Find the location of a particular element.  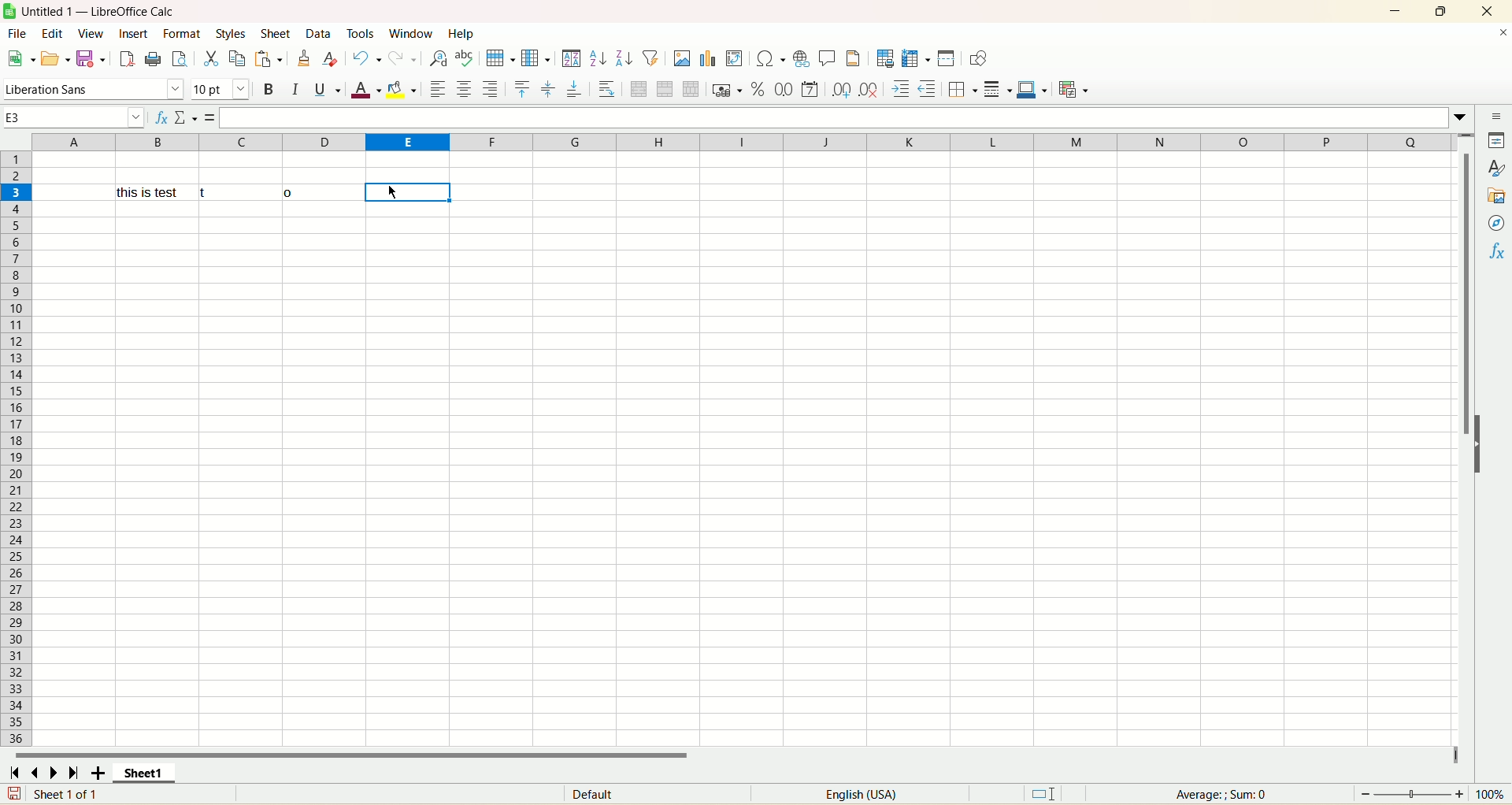

properties is located at coordinates (1499, 143).